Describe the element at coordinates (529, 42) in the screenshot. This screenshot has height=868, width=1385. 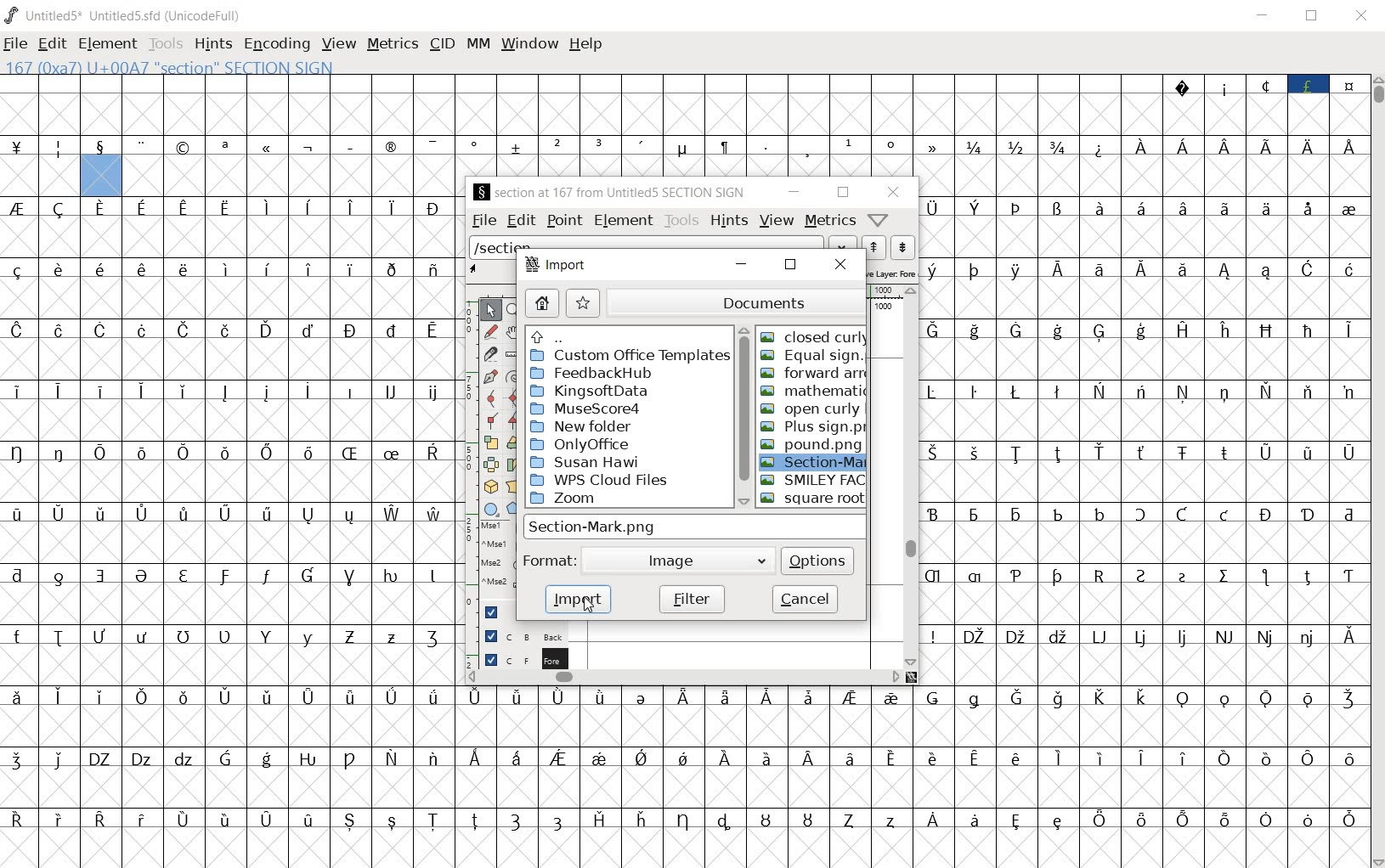
I see `window` at that location.